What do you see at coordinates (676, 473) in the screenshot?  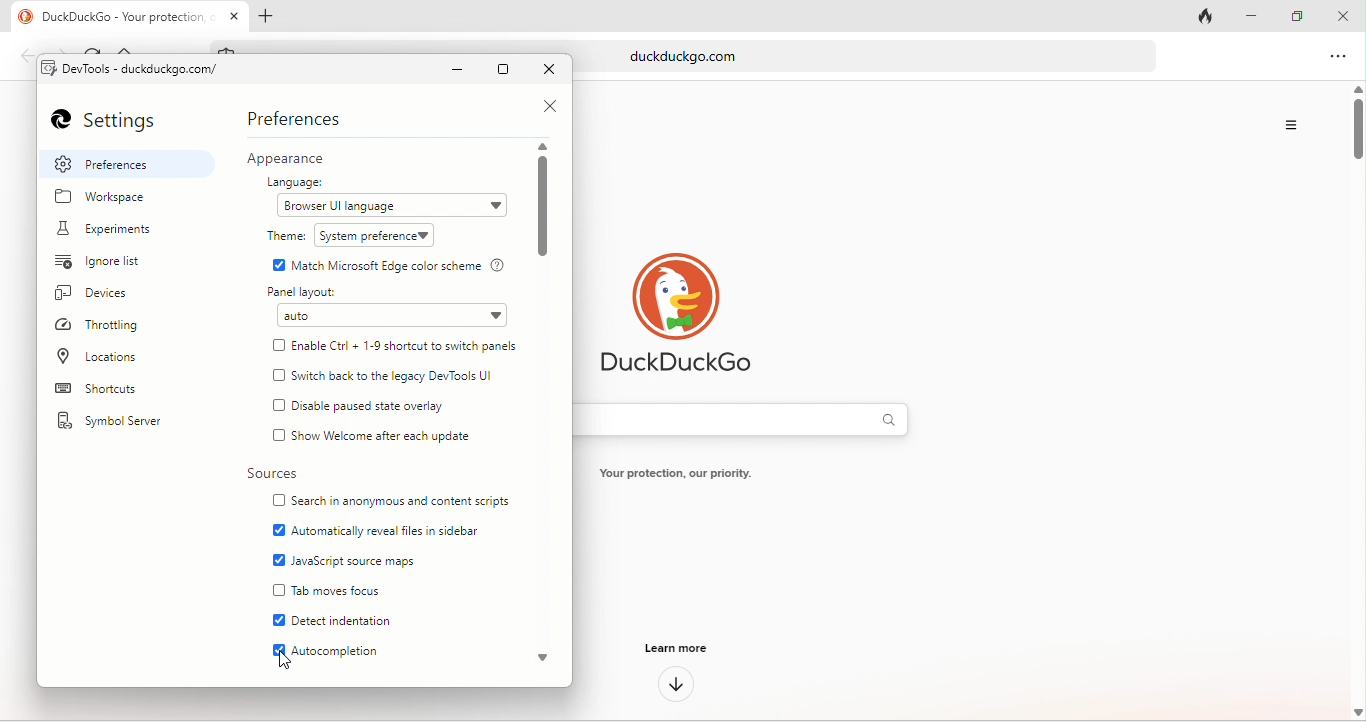 I see `Your protection, out priority` at bounding box center [676, 473].